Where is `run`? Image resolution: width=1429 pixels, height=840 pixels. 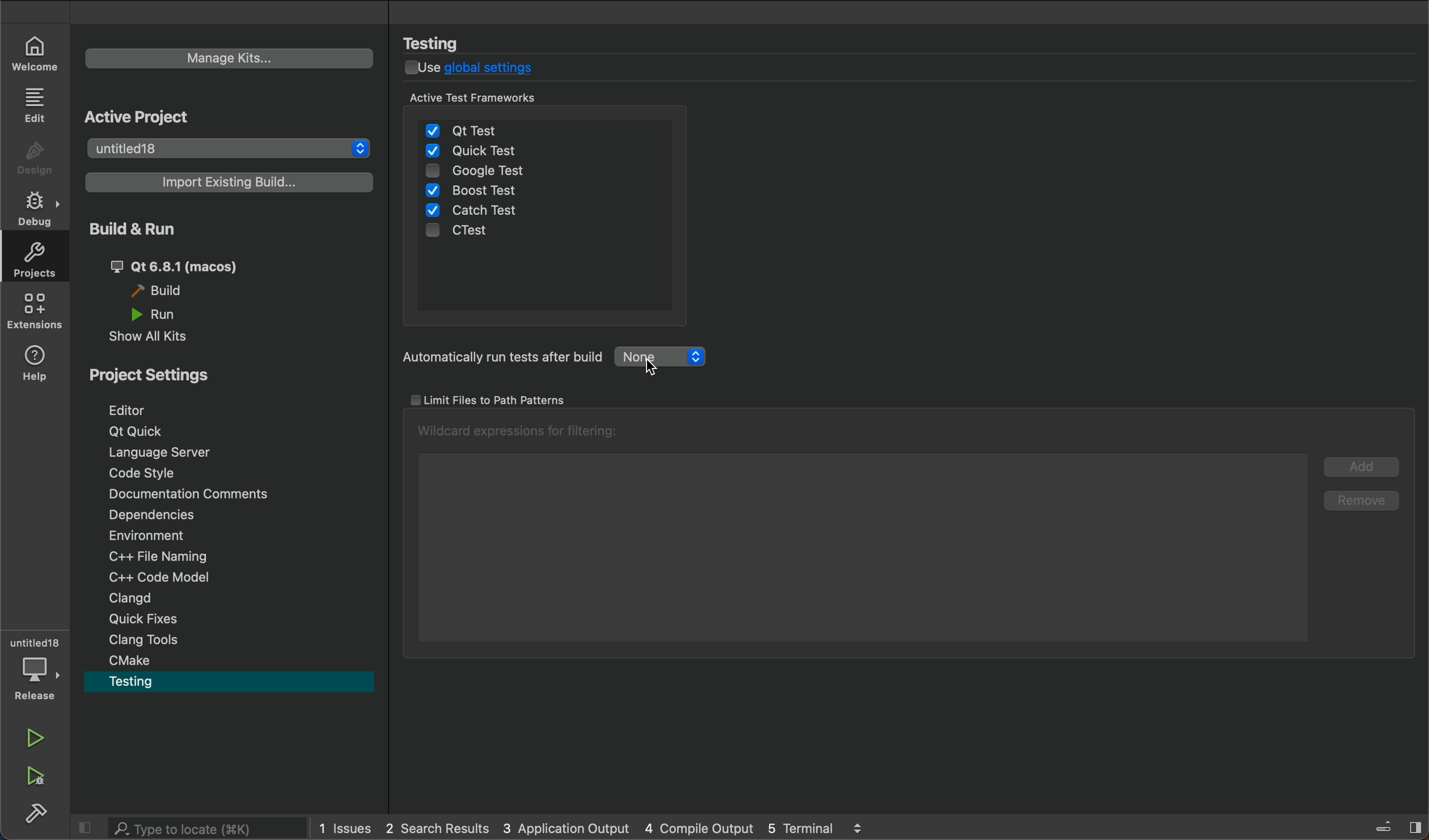
run is located at coordinates (36, 735).